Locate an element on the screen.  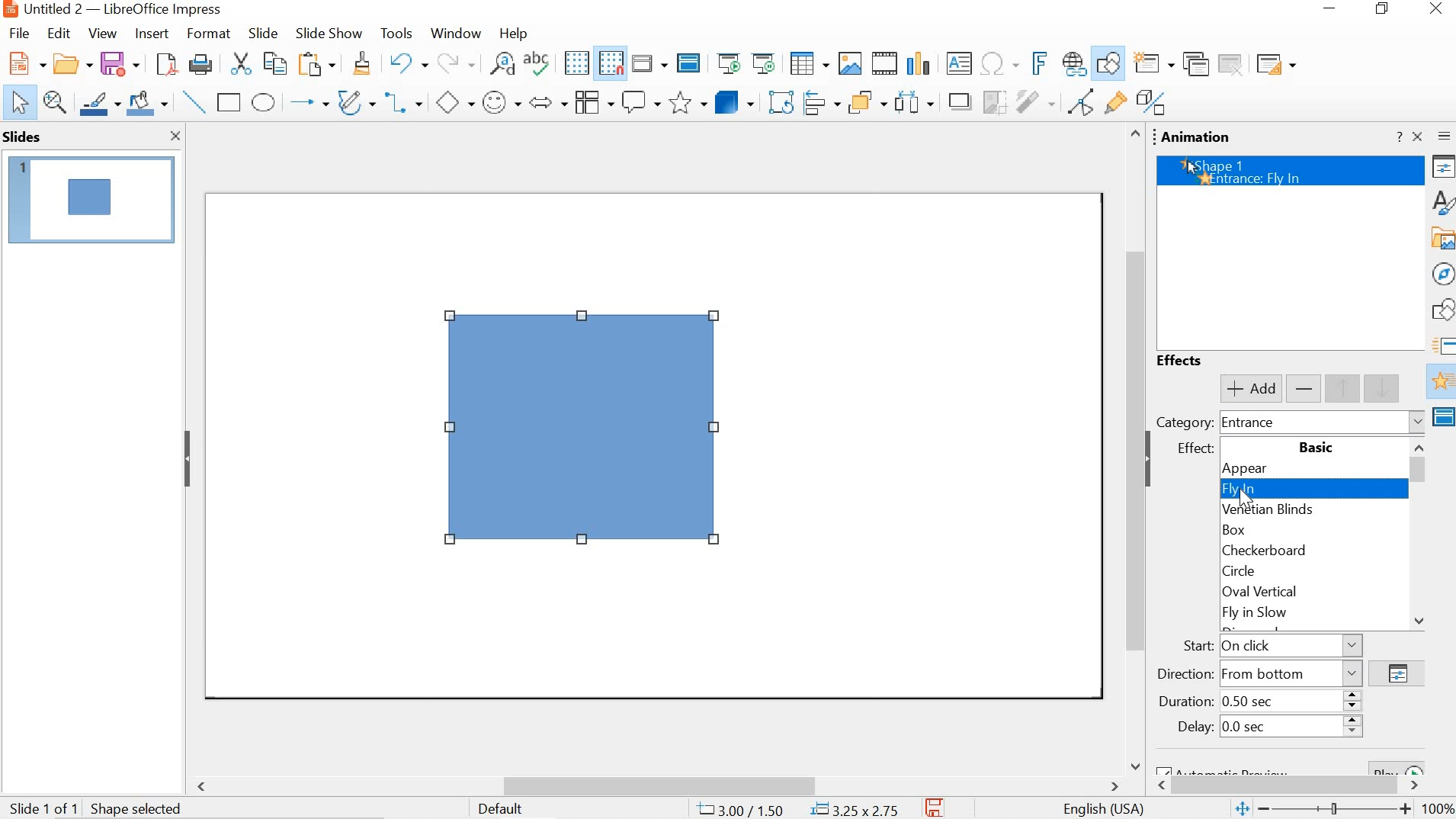
direction is located at coordinates (1397, 673).